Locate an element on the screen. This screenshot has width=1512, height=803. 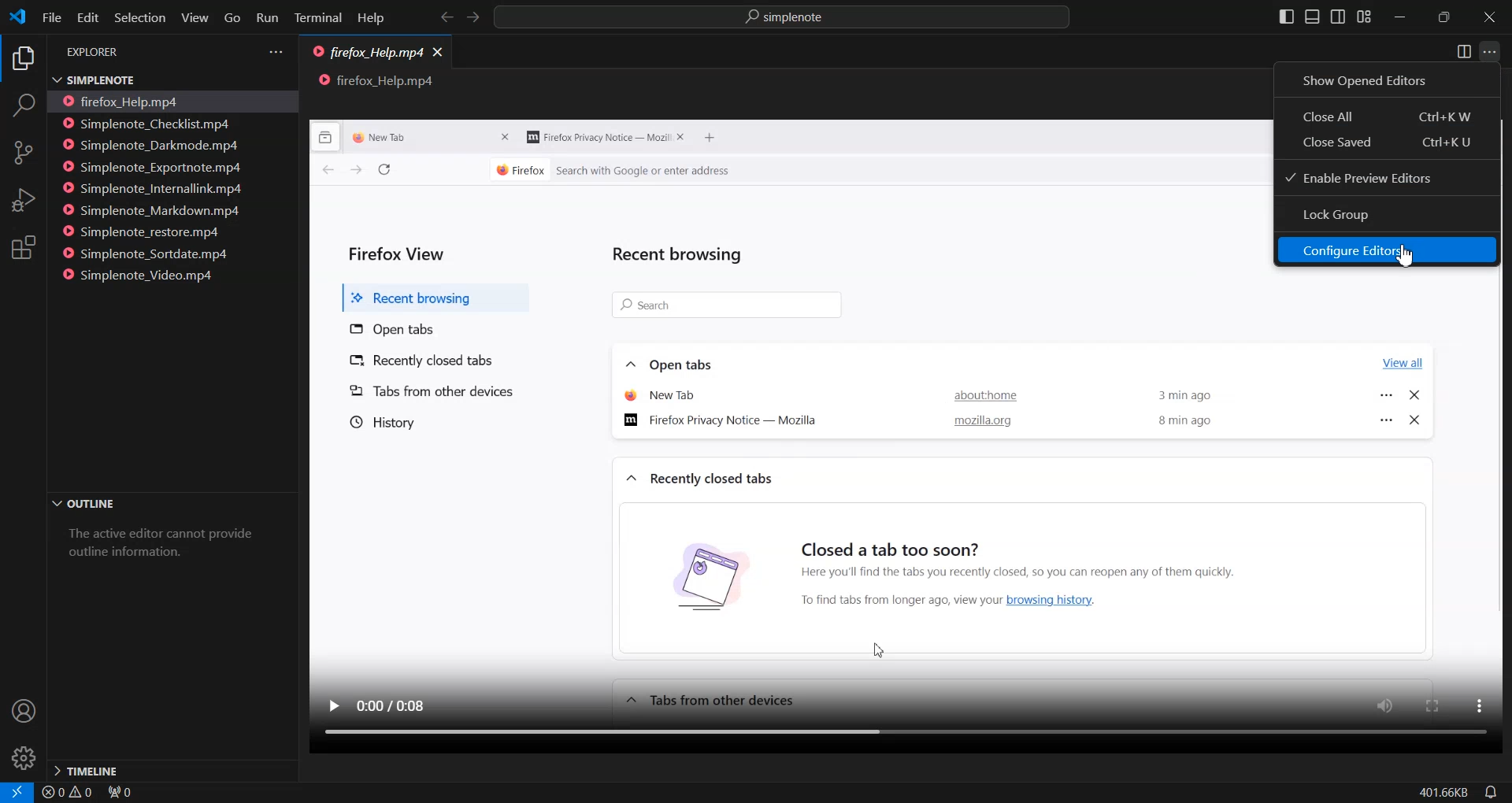
Recently closed tabs is located at coordinates (700, 479).